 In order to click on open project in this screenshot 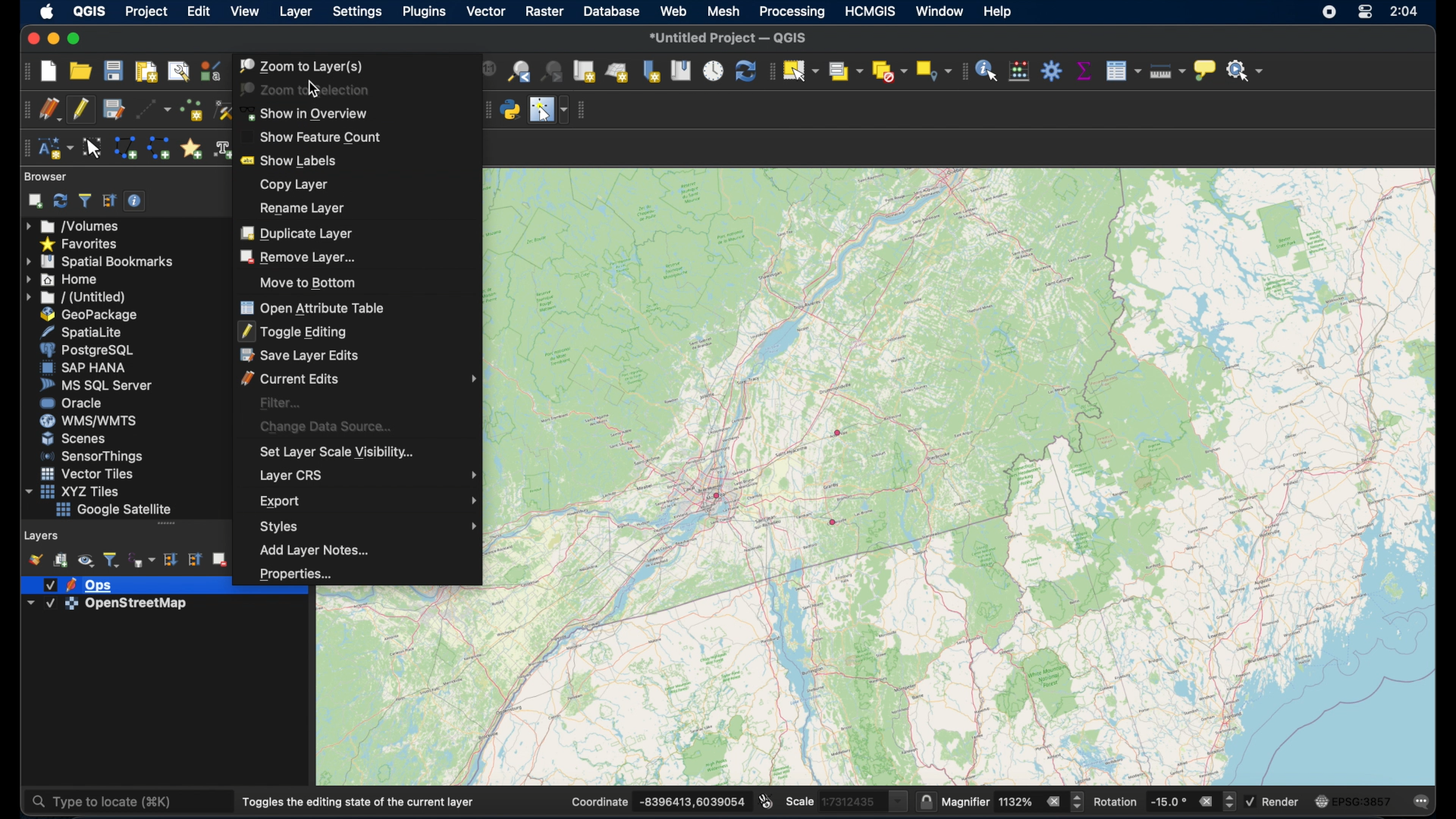, I will do `click(80, 71)`.